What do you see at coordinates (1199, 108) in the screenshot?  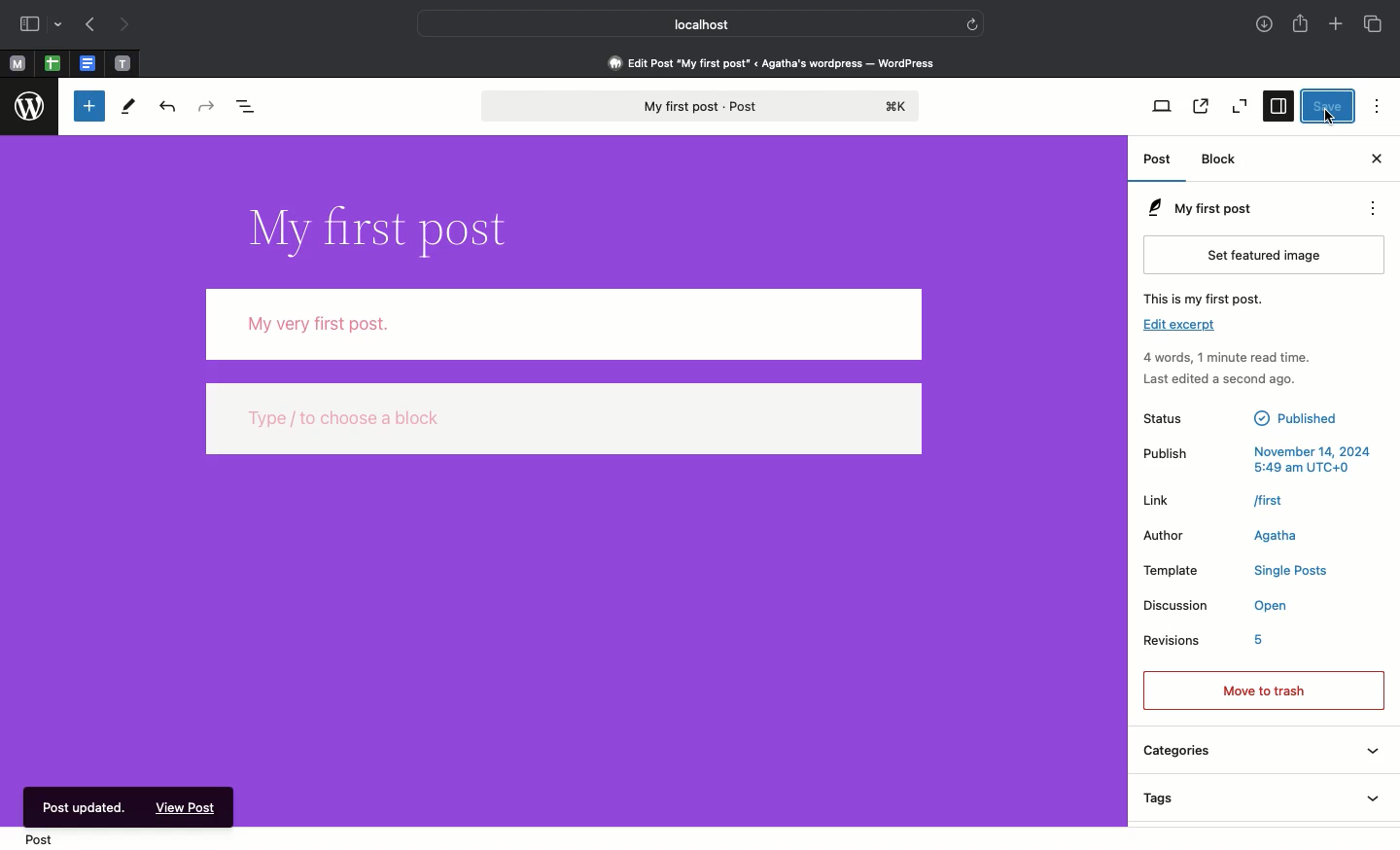 I see `View post` at bounding box center [1199, 108].